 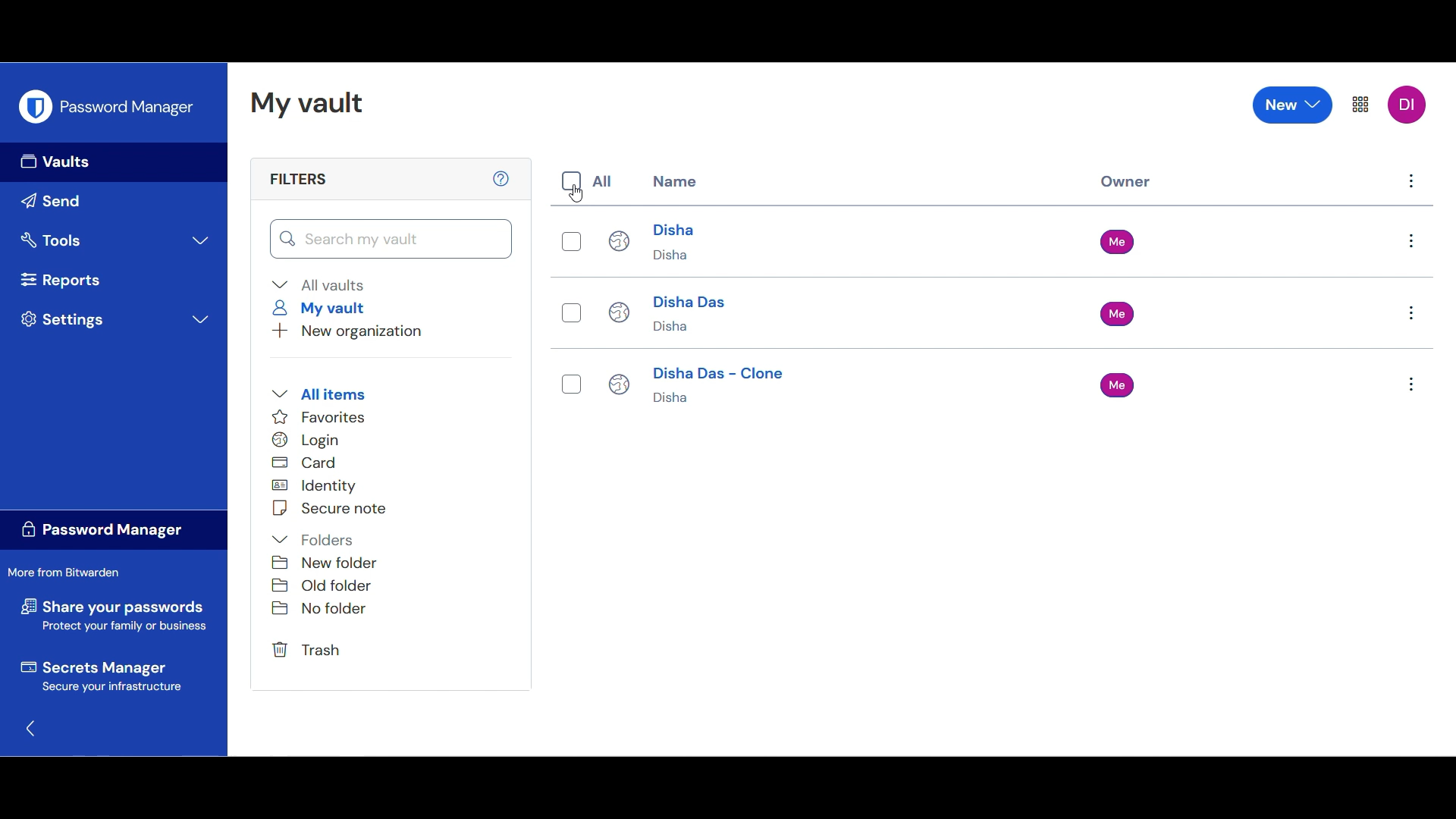 What do you see at coordinates (115, 280) in the screenshot?
I see `Reports` at bounding box center [115, 280].